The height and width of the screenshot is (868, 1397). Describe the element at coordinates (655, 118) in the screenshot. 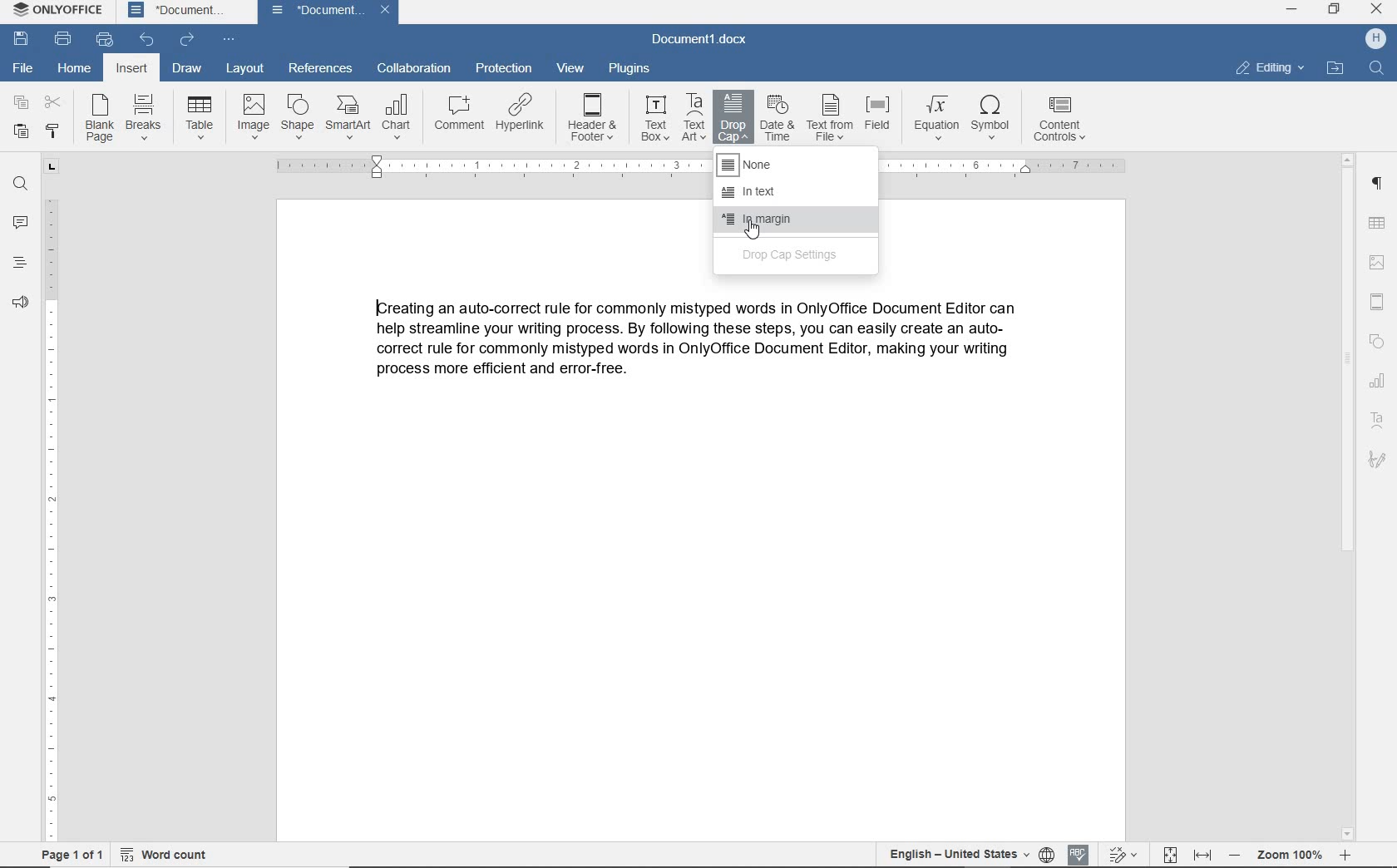

I see `text box` at that location.